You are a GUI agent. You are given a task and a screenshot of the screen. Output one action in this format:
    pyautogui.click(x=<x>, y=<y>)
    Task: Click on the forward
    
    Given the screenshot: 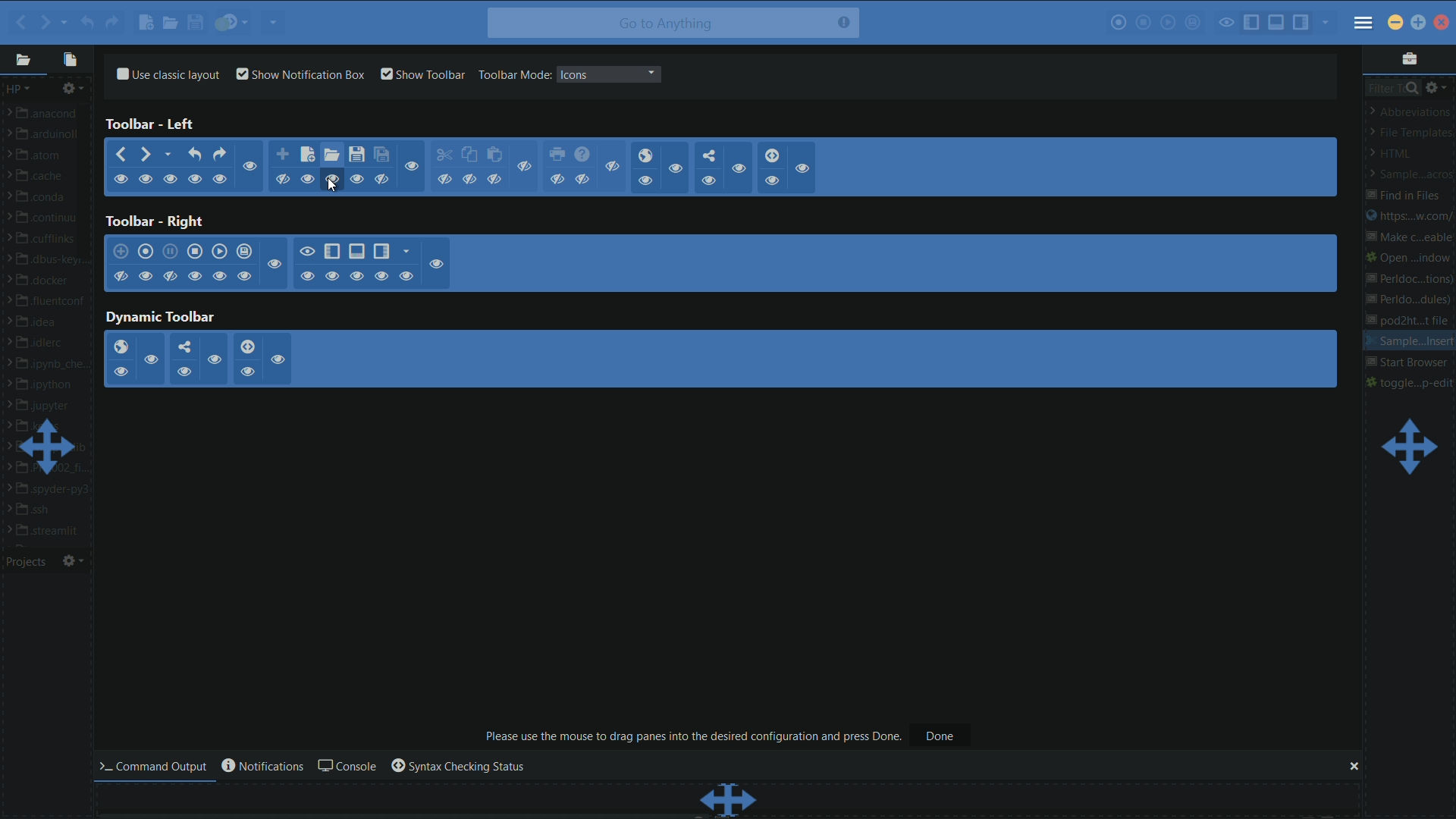 What is the action you would take?
    pyautogui.click(x=147, y=155)
    